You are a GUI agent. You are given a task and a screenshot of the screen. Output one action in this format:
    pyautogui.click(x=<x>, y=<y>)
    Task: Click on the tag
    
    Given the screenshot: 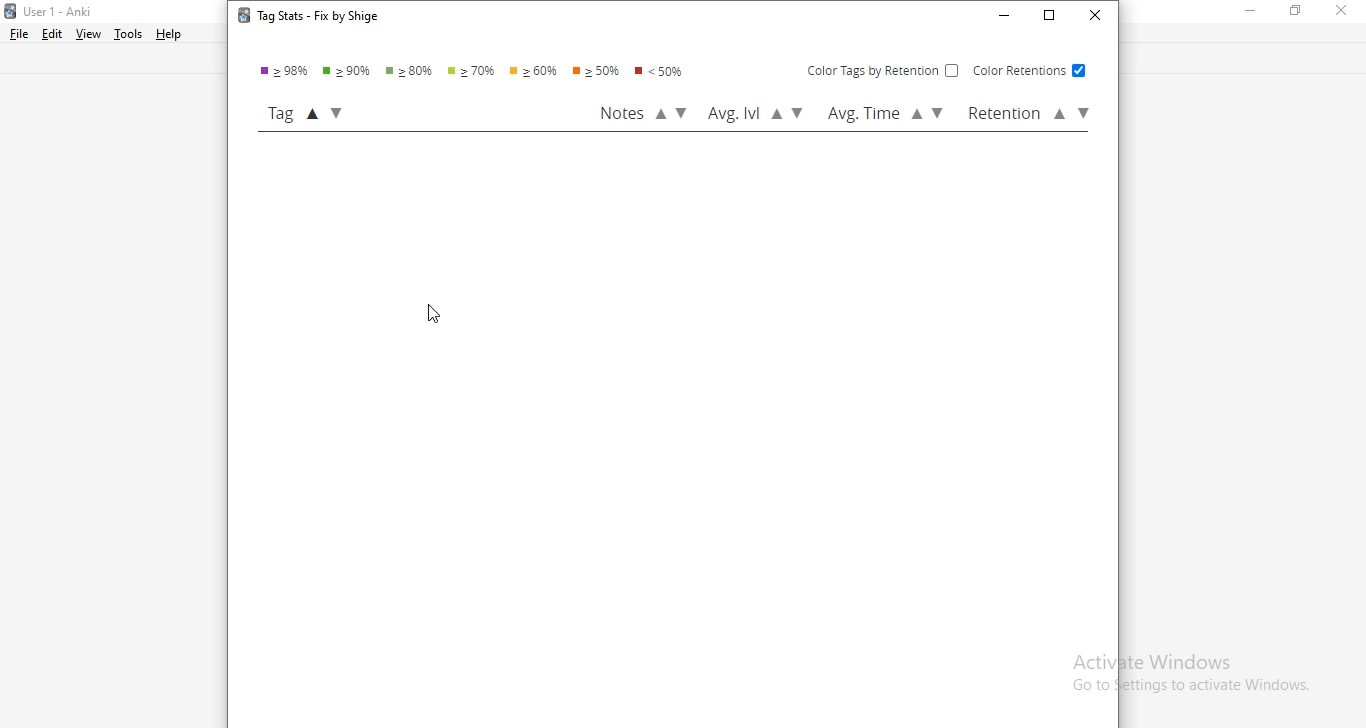 What is the action you would take?
    pyautogui.click(x=312, y=113)
    